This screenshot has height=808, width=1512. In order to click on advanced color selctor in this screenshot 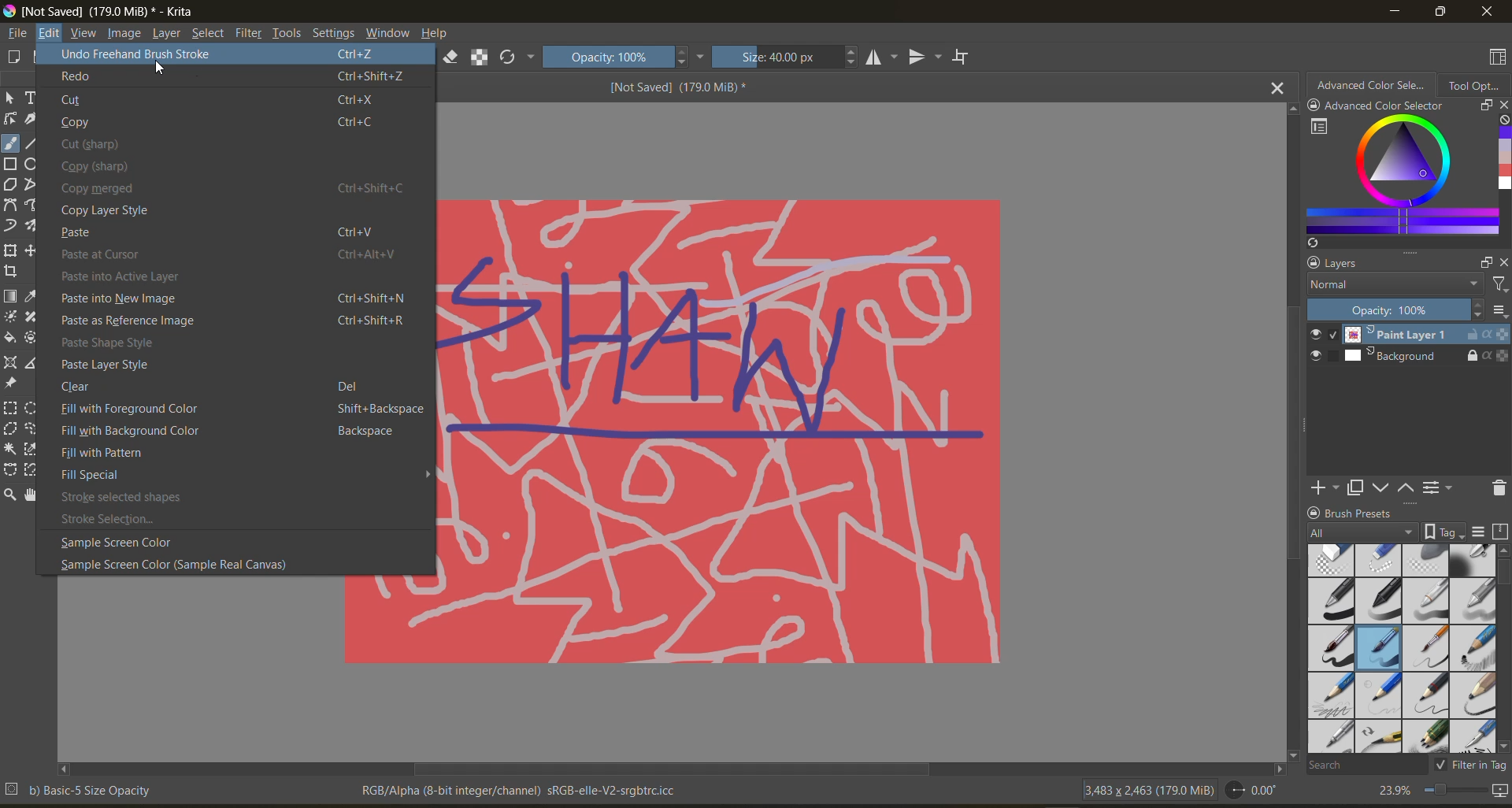, I will do `click(1377, 105)`.